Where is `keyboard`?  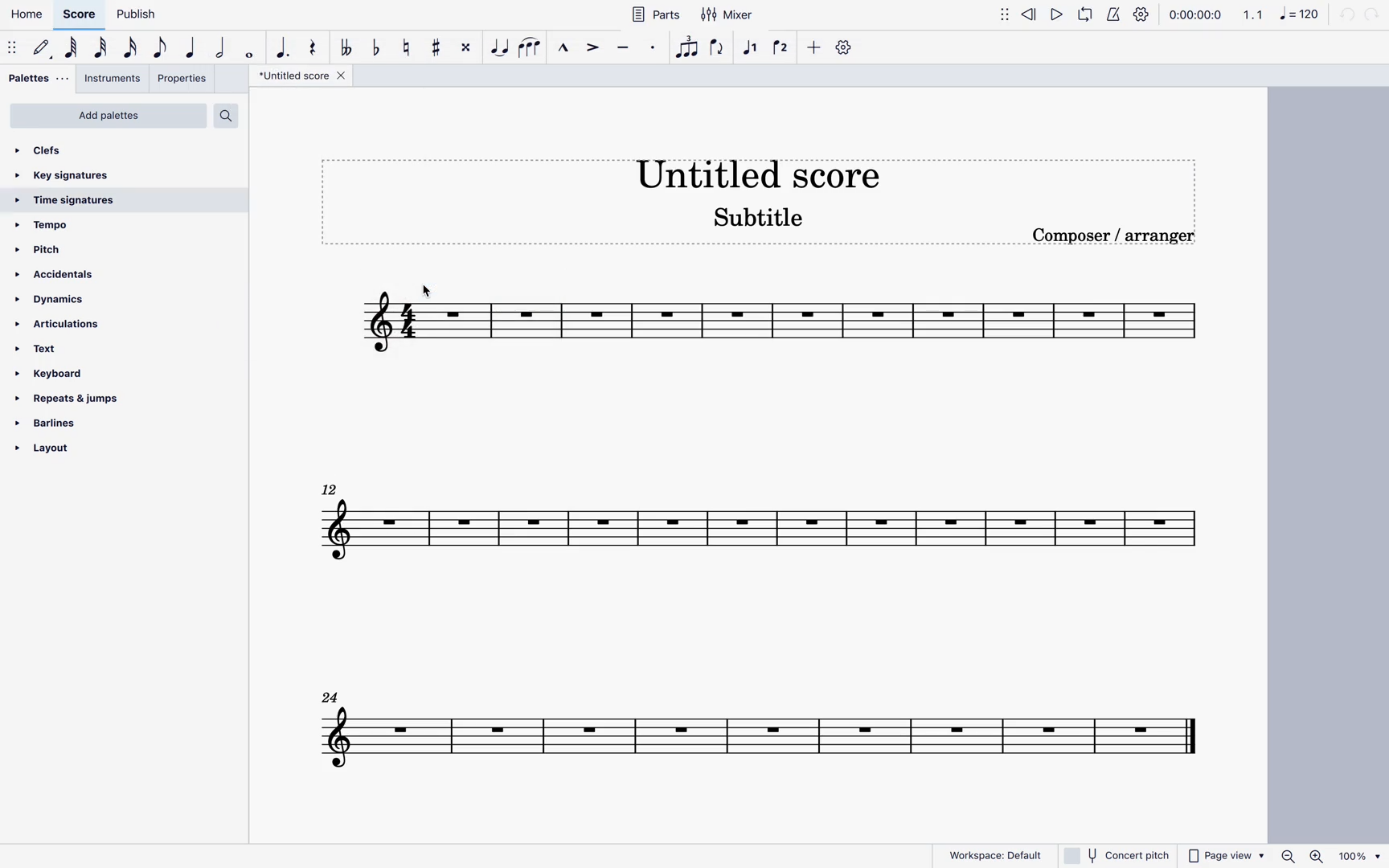
keyboard is located at coordinates (64, 373).